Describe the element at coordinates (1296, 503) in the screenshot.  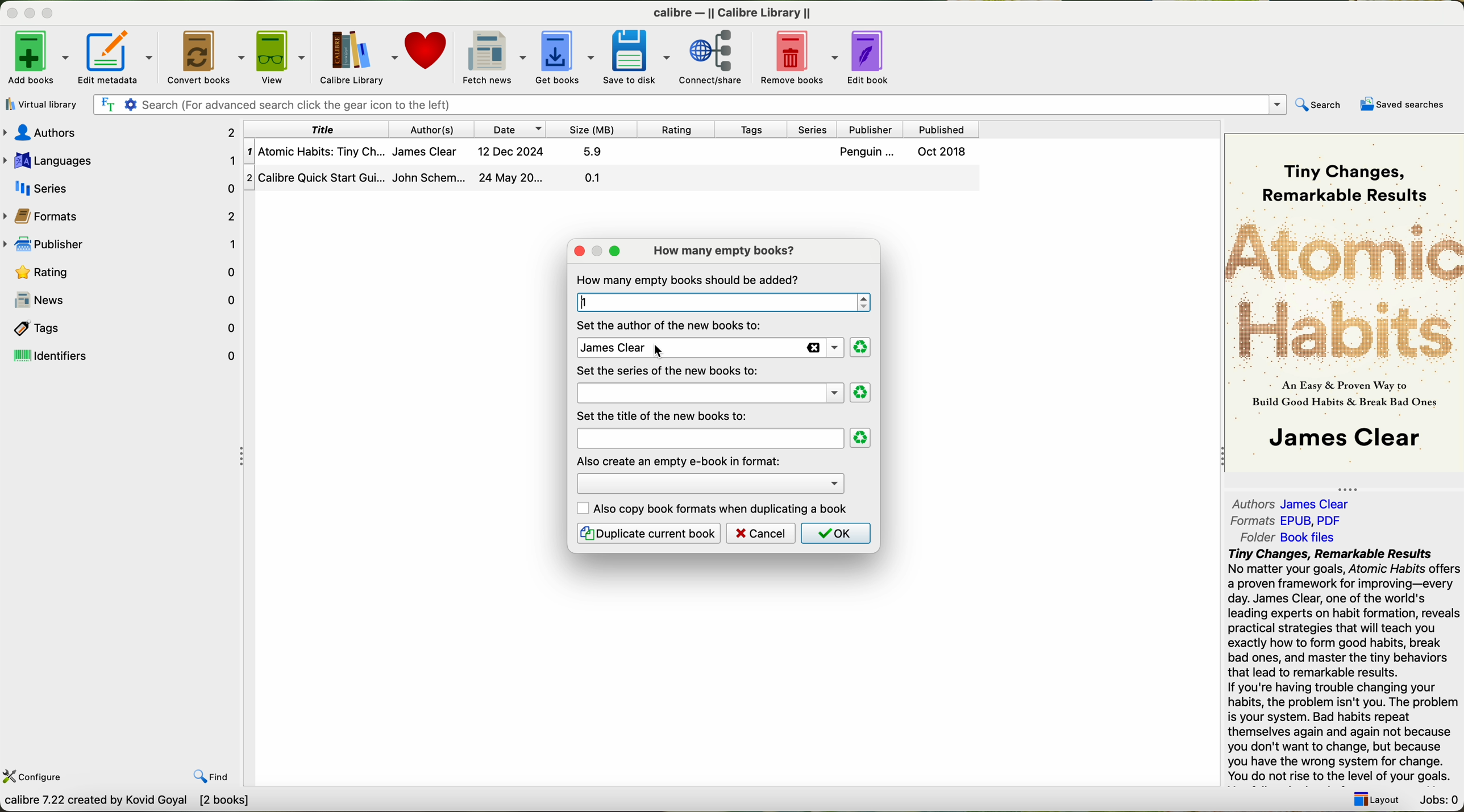
I see `authors` at that location.